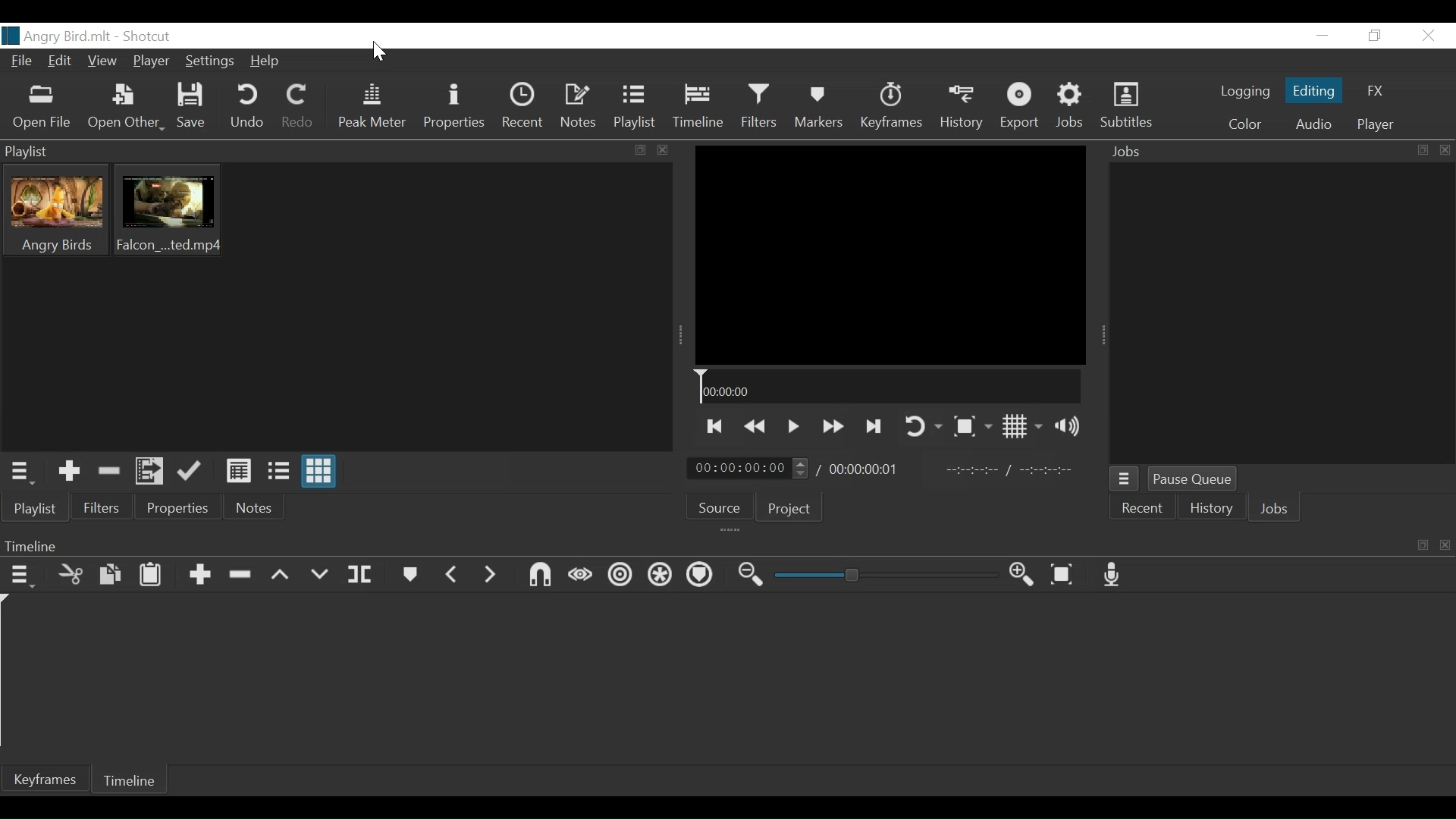 This screenshot has width=1456, height=819. I want to click on Toggle player looping, so click(921, 428).